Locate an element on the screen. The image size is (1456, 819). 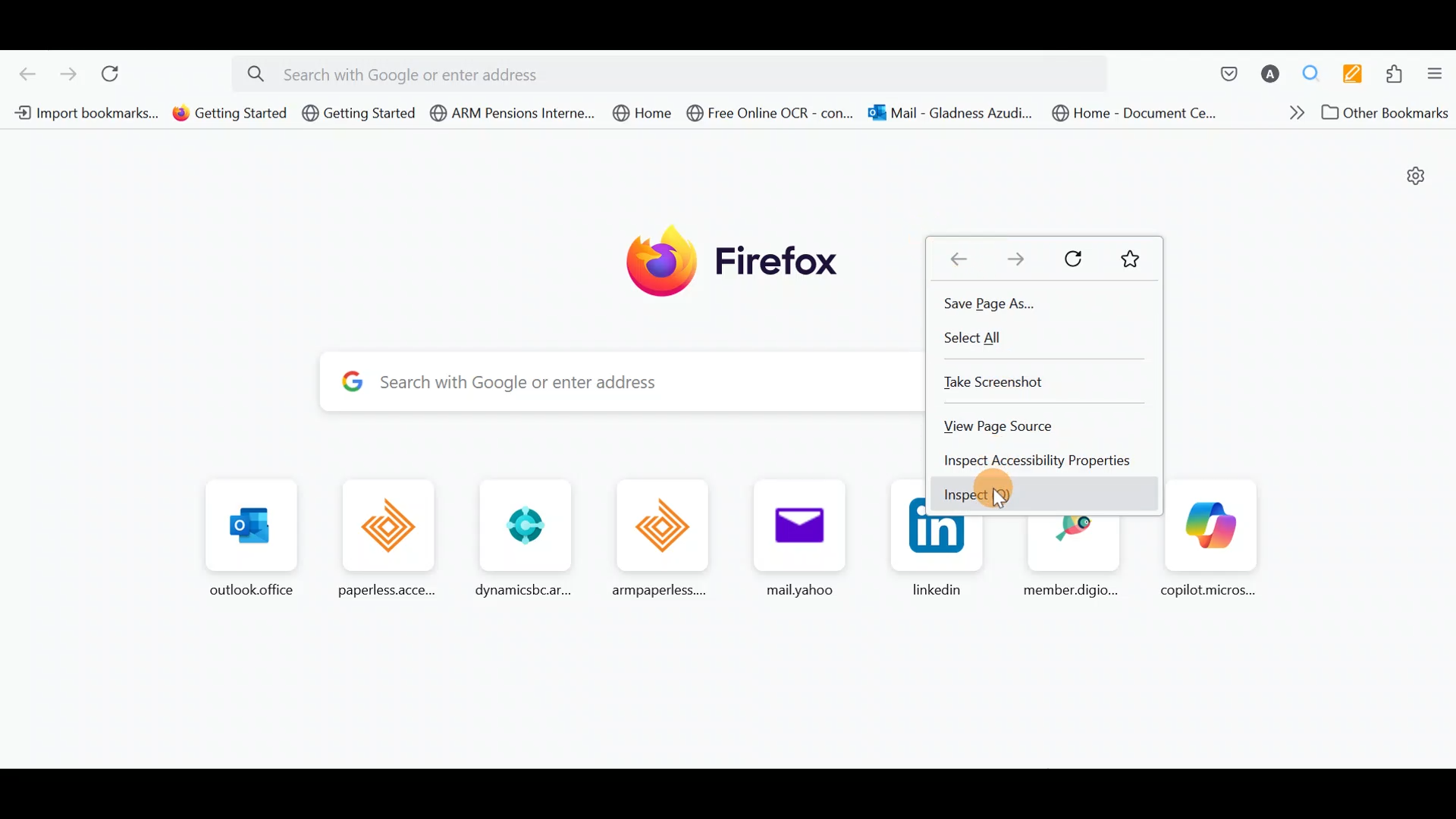
Frequently browsed pages is located at coordinates (538, 536).